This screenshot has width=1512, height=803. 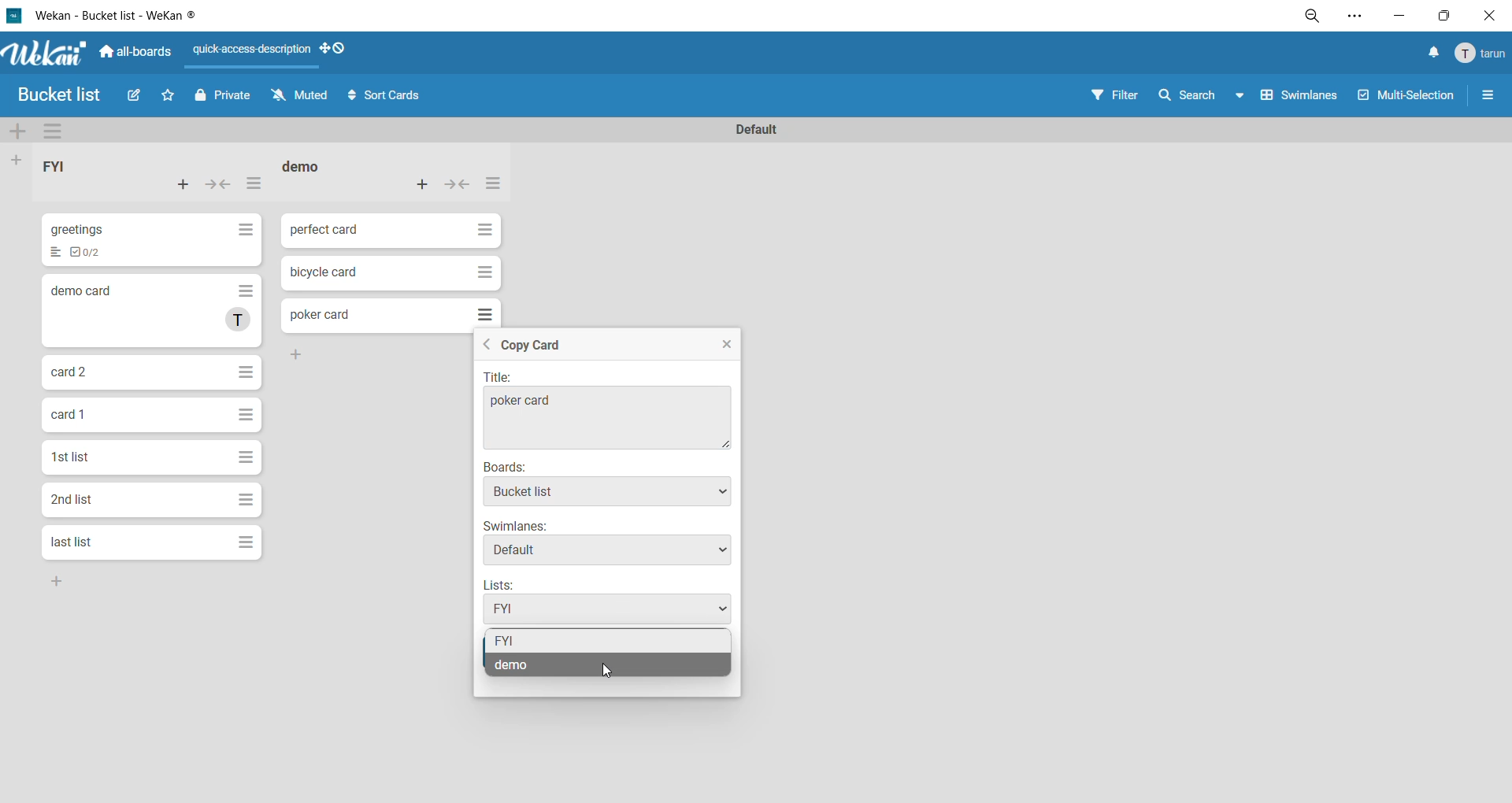 What do you see at coordinates (484, 231) in the screenshot?
I see `Hamburger` at bounding box center [484, 231].